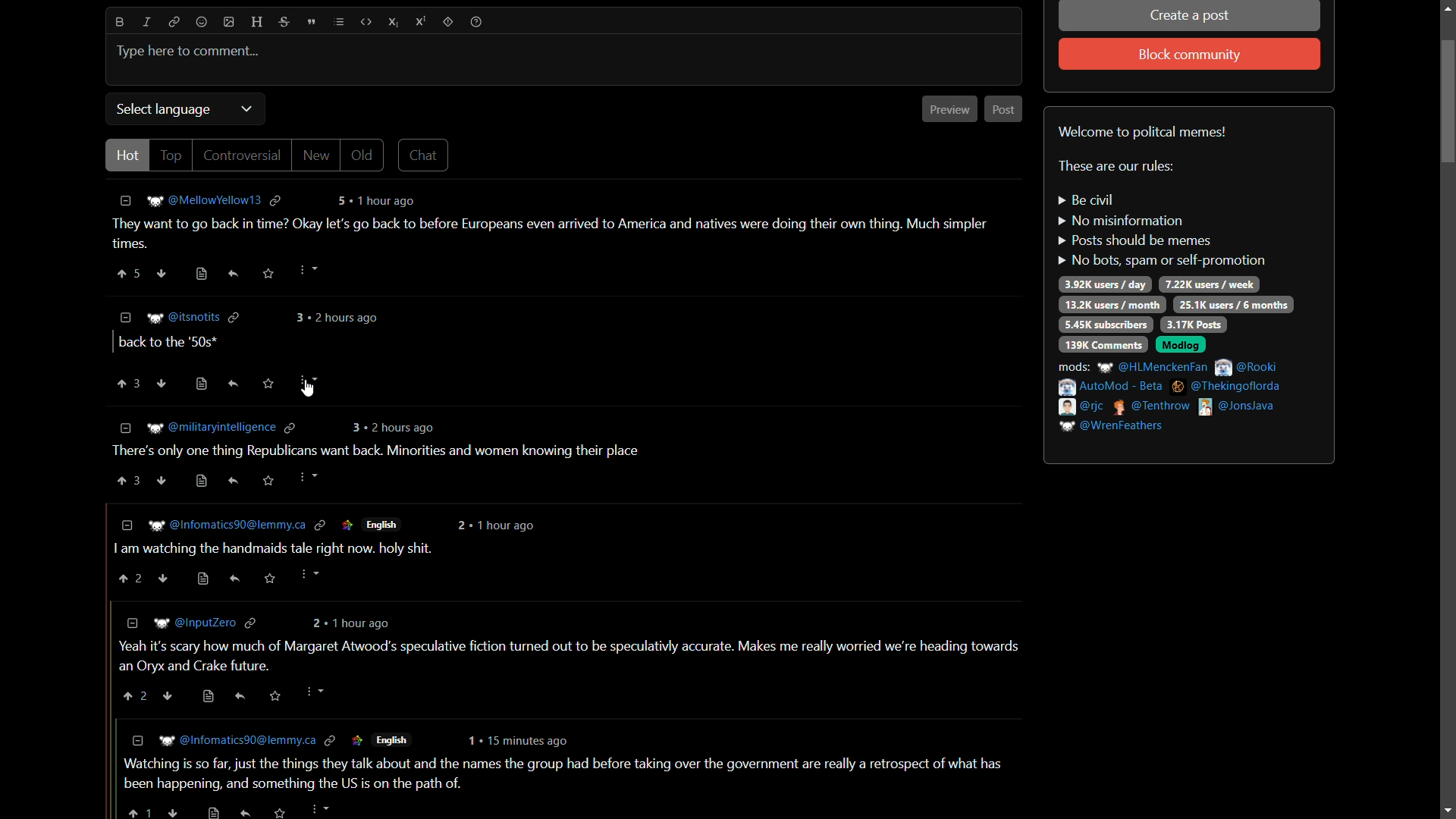 The width and height of the screenshot is (1456, 819). Describe the element at coordinates (1448, 411) in the screenshot. I see `scroll bar` at that location.